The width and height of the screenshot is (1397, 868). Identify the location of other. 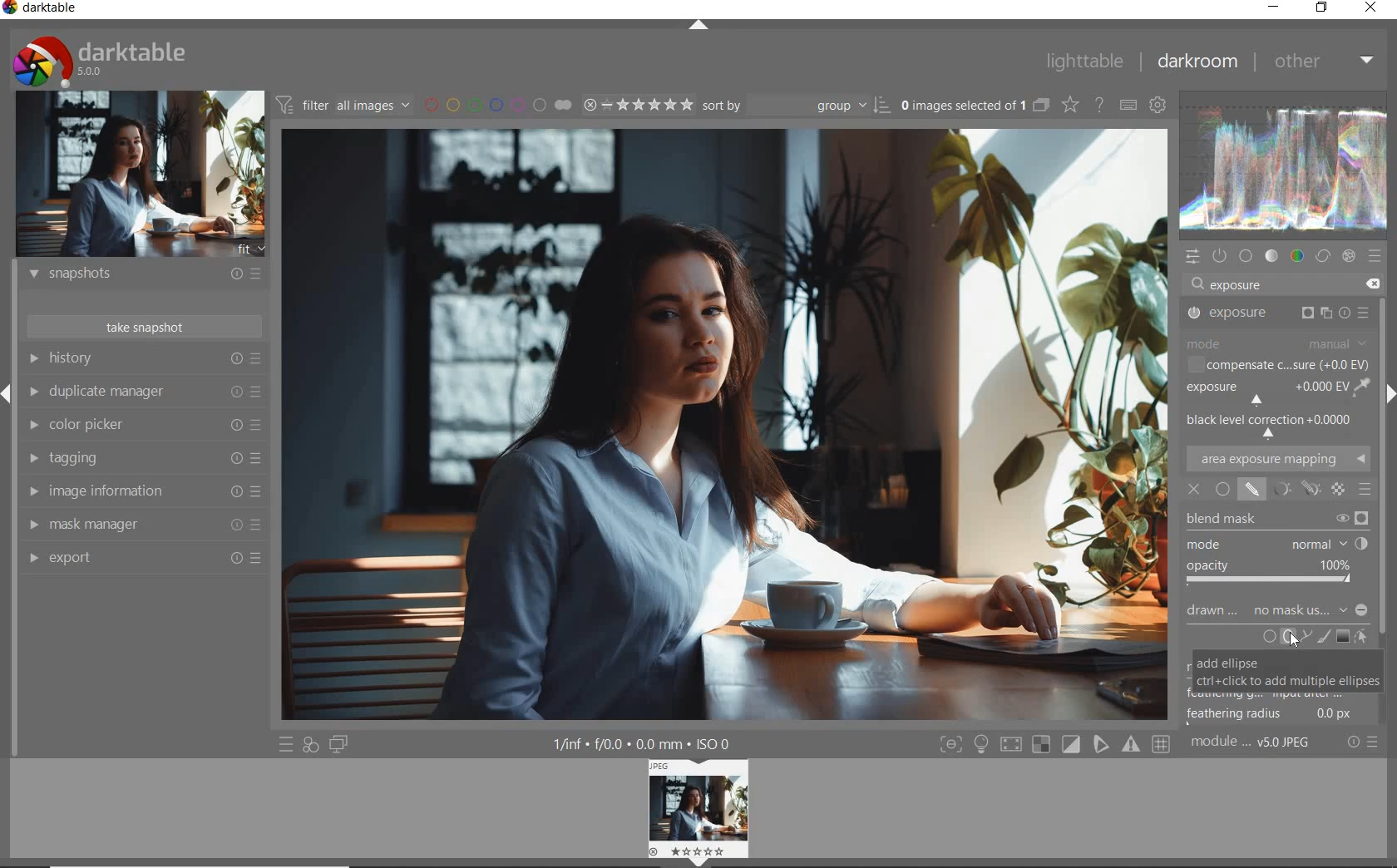
(1325, 64).